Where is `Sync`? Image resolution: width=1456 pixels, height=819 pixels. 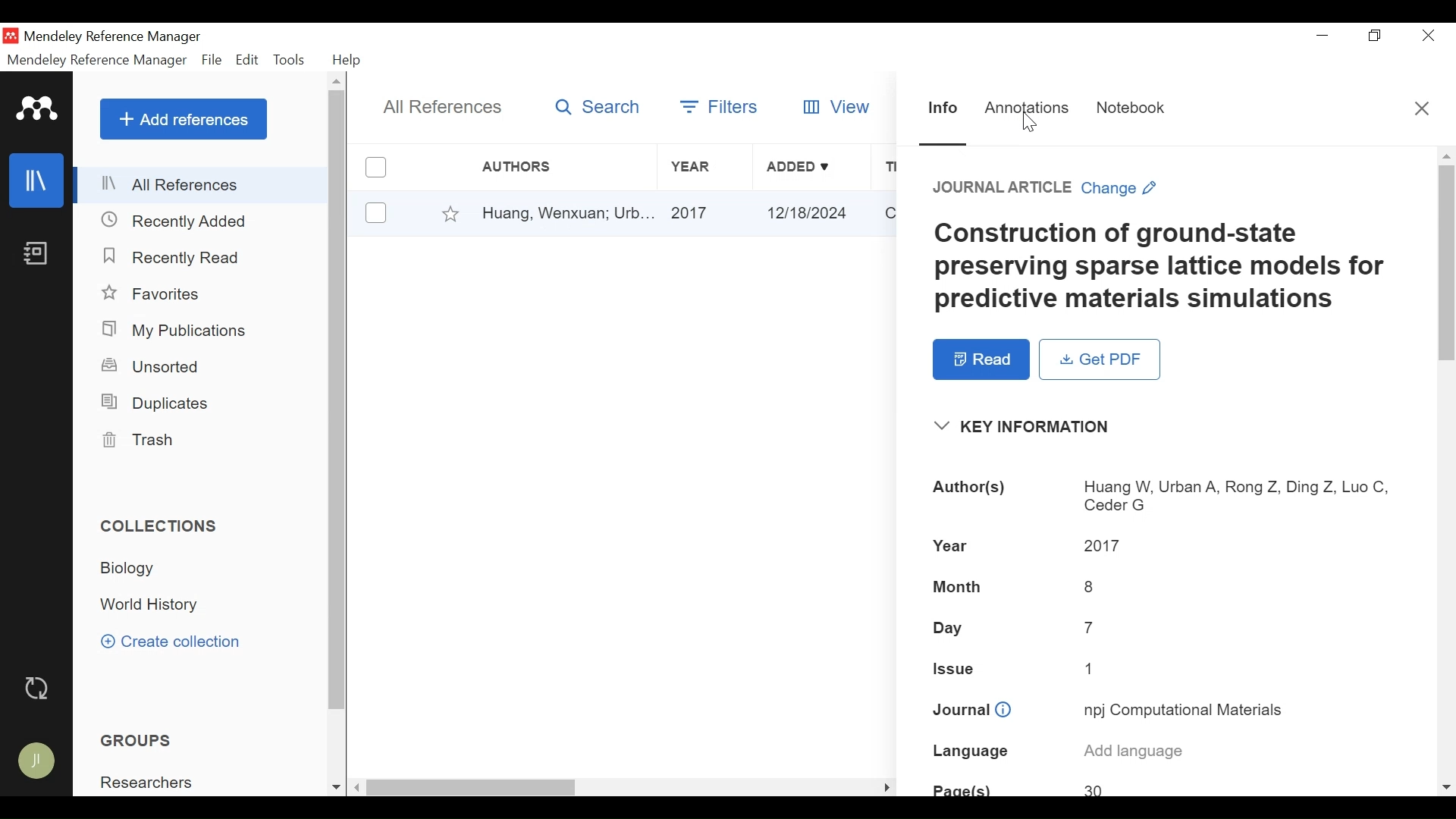 Sync is located at coordinates (42, 688).